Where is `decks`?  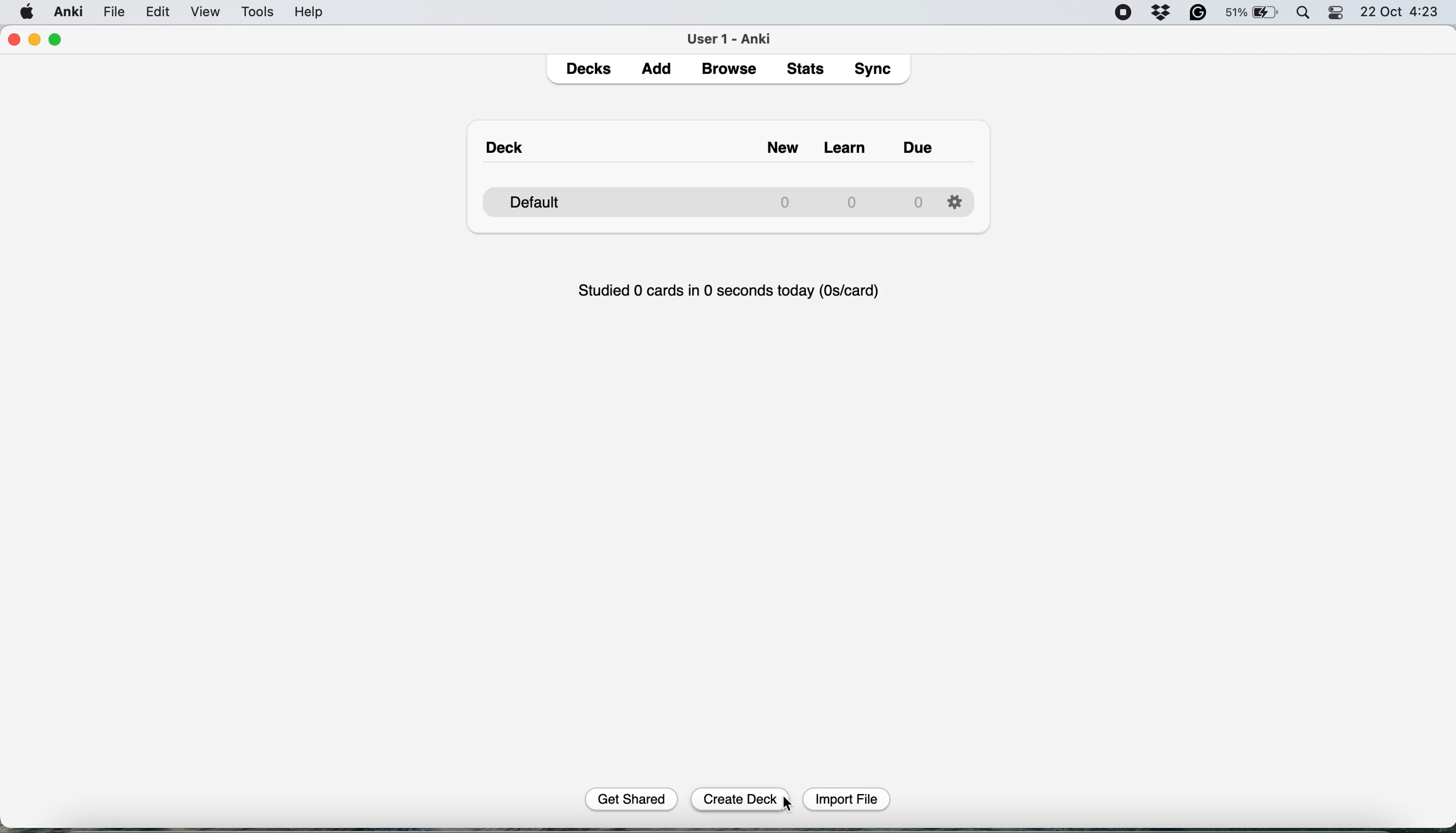 decks is located at coordinates (590, 69).